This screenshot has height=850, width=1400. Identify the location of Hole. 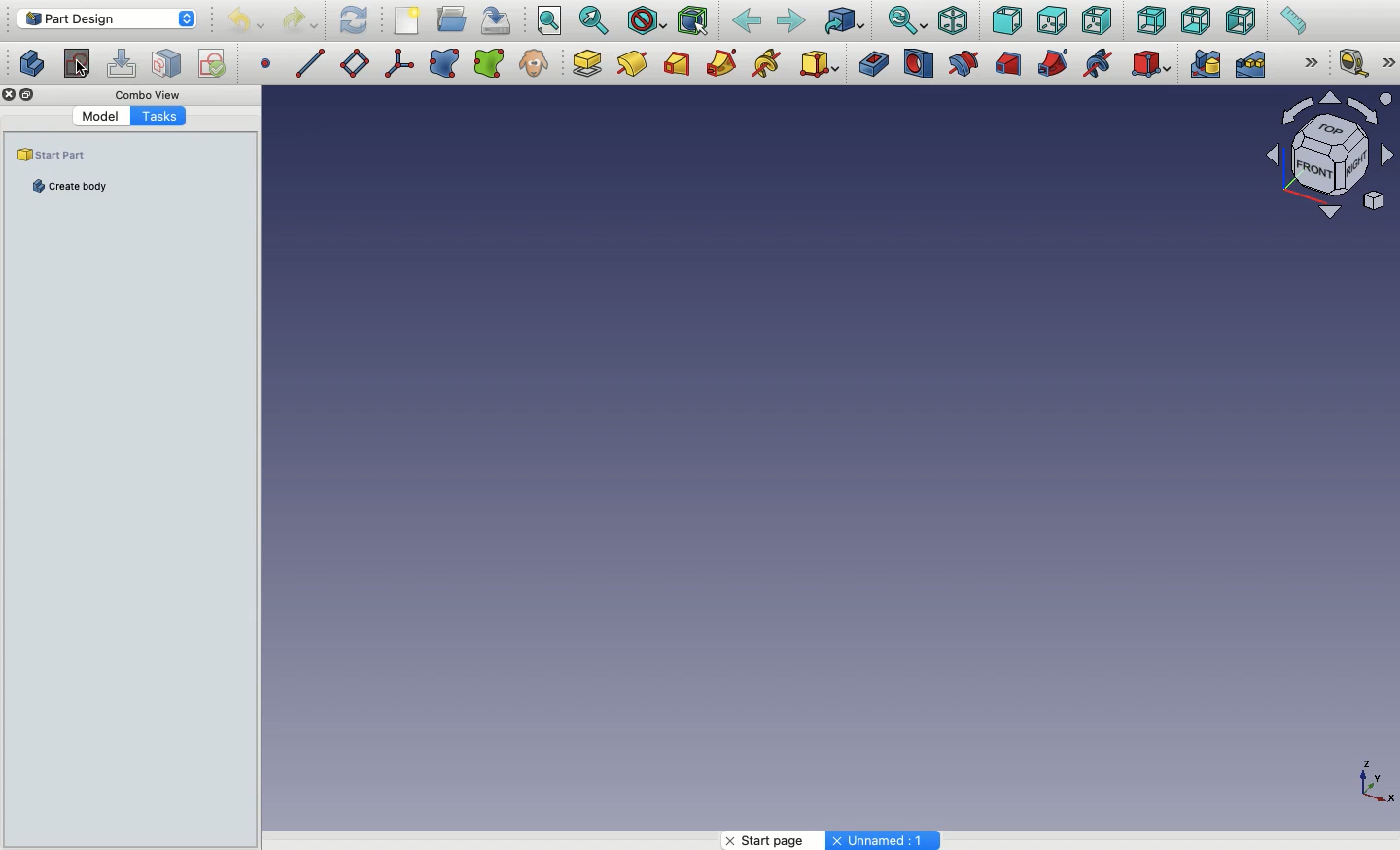
(919, 64).